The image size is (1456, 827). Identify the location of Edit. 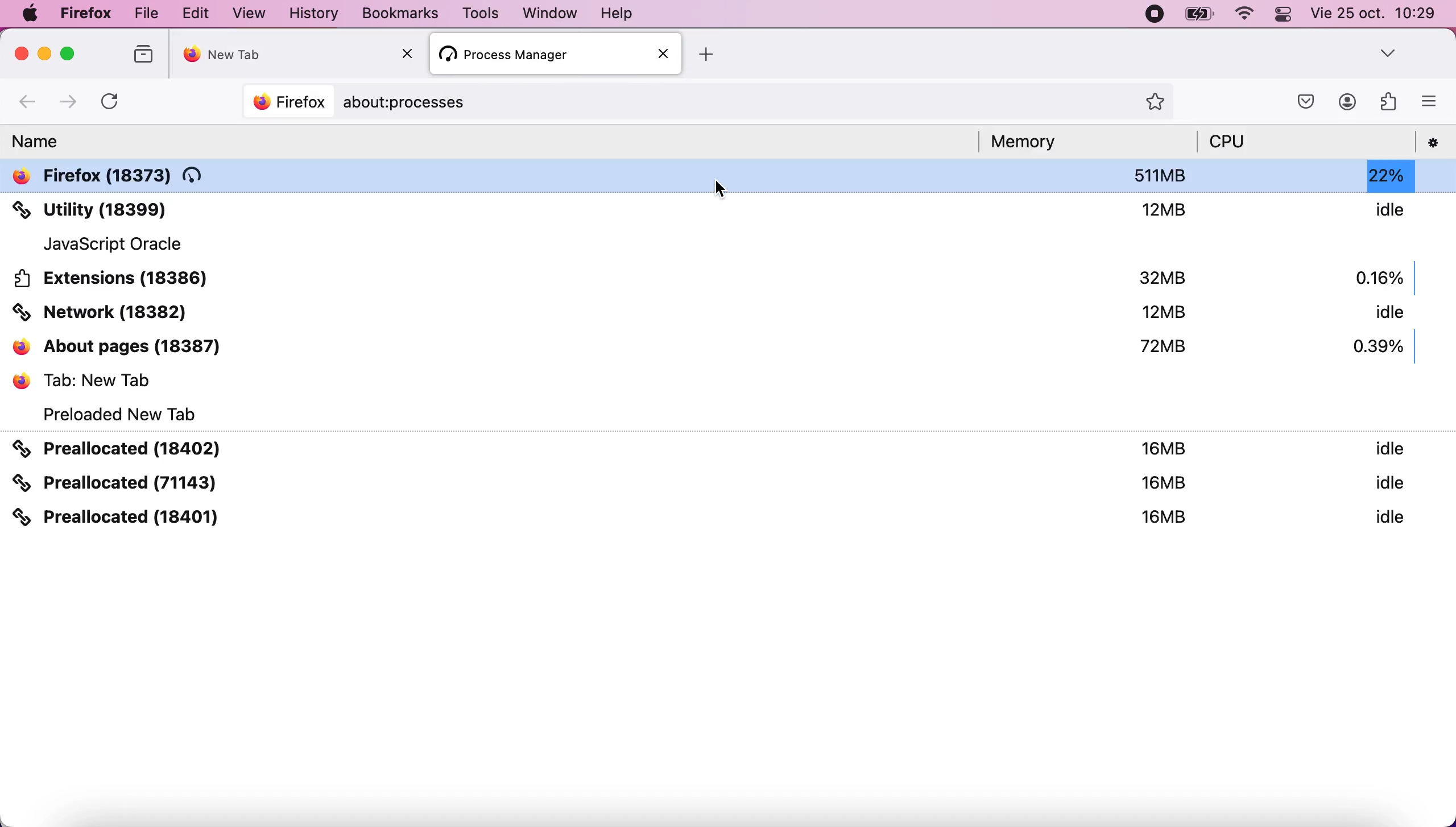
(196, 13).